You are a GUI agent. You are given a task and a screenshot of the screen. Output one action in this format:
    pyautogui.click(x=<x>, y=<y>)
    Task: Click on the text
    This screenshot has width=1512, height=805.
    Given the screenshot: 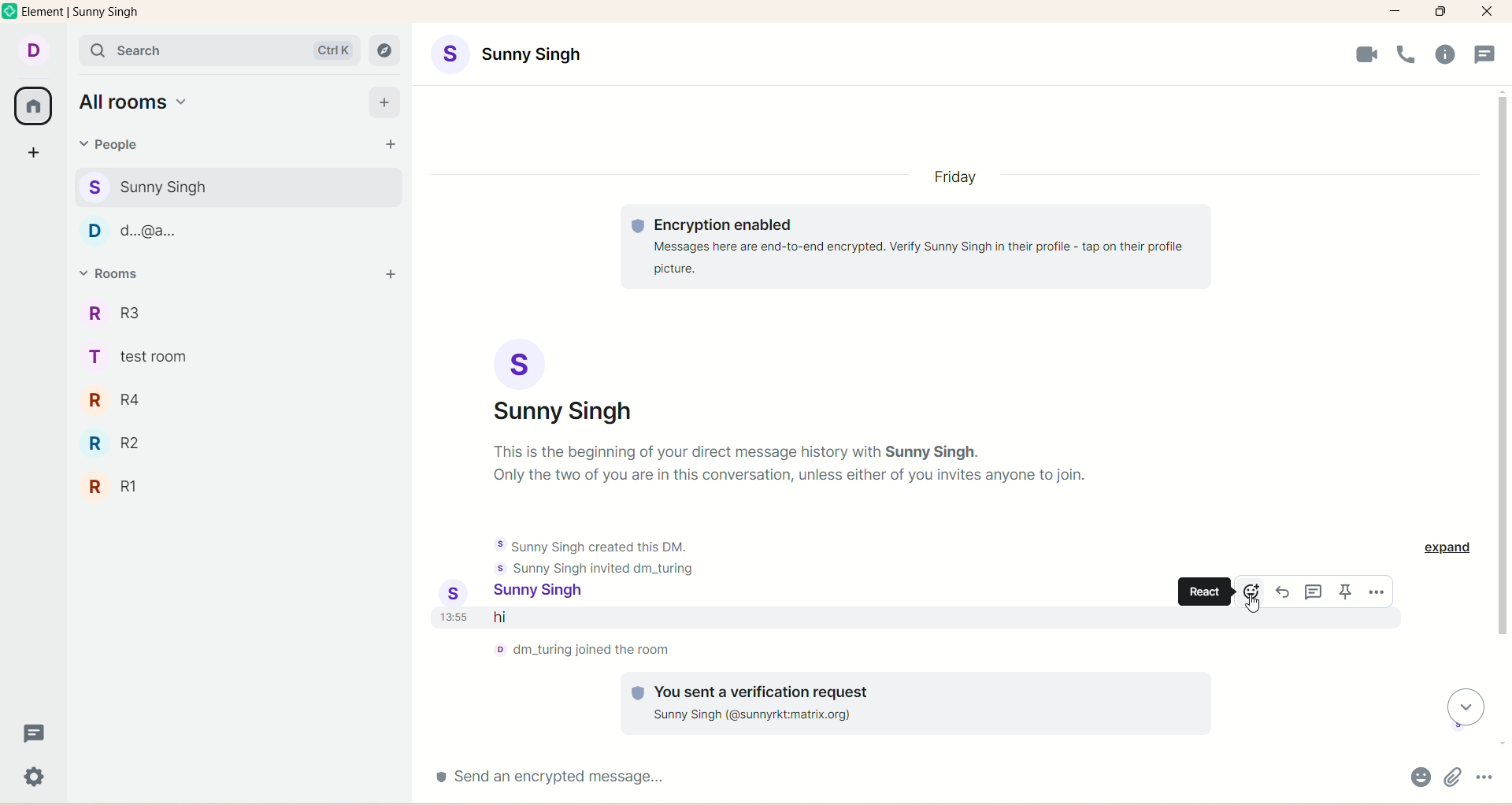 What is the action you would take?
    pyautogui.click(x=595, y=557)
    